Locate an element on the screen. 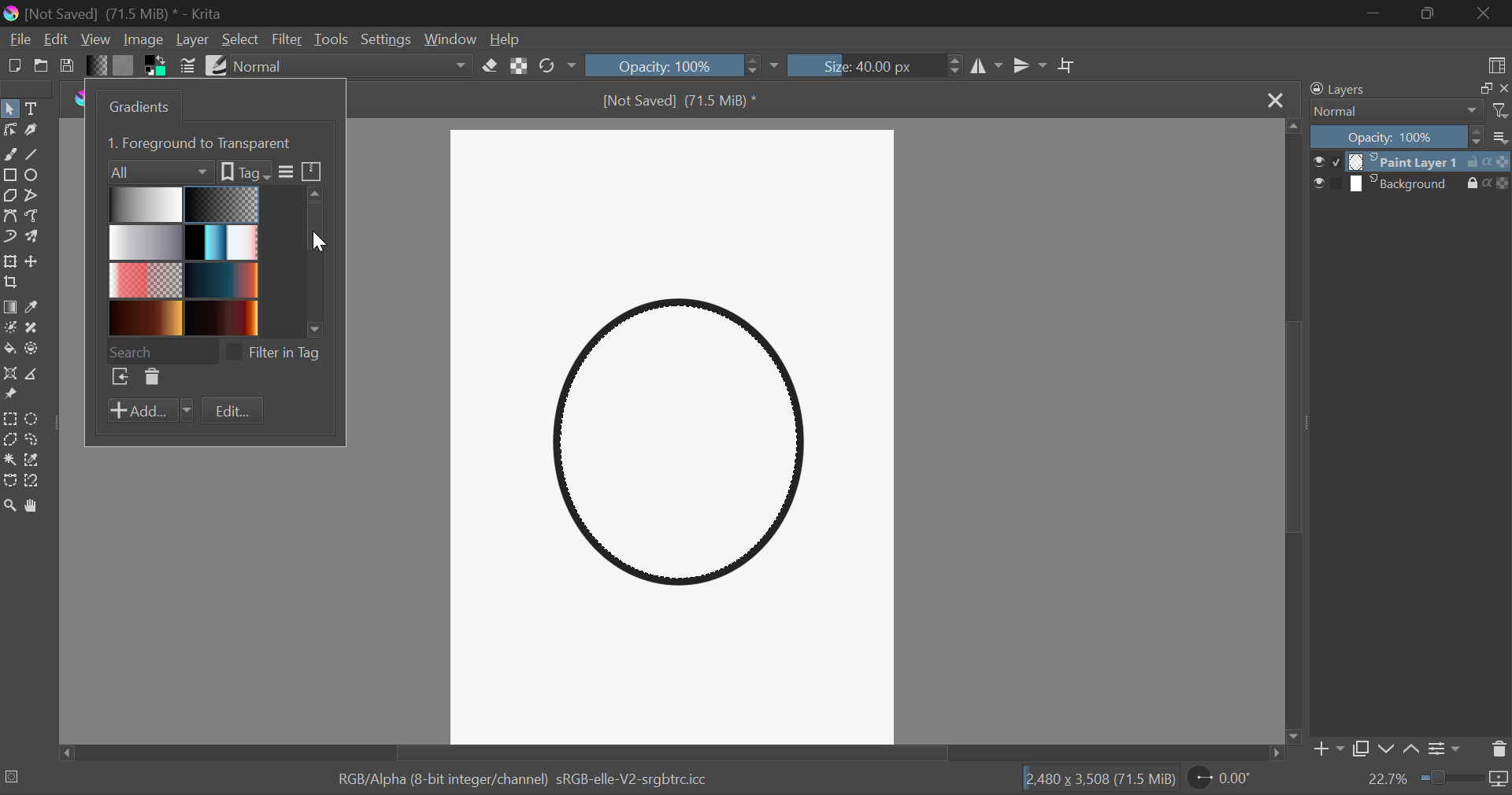 The height and width of the screenshot is (795, 1512). more is located at coordinates (287, 172).